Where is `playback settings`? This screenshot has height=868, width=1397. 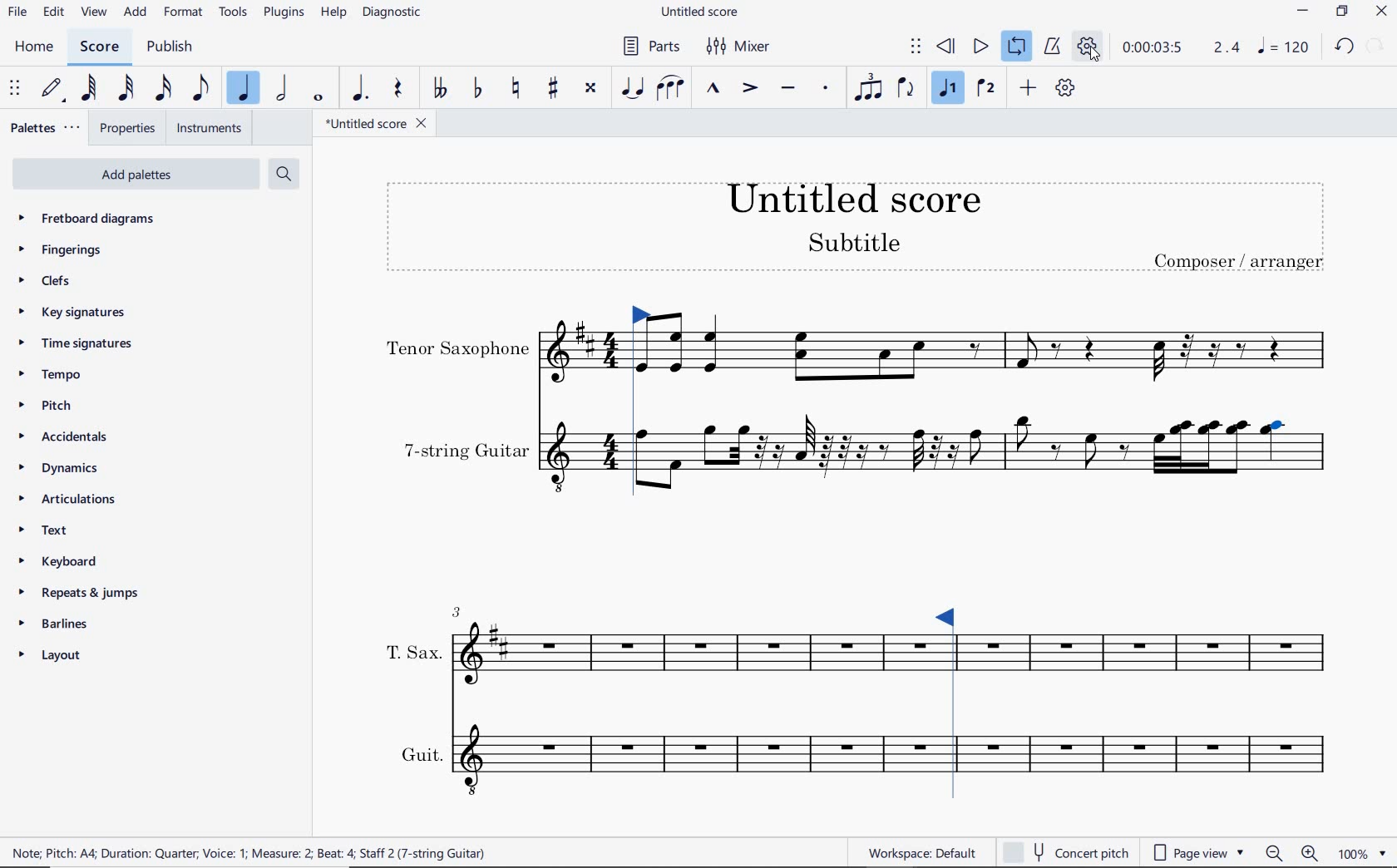 playback settings is located at coordinates (1071, 89).